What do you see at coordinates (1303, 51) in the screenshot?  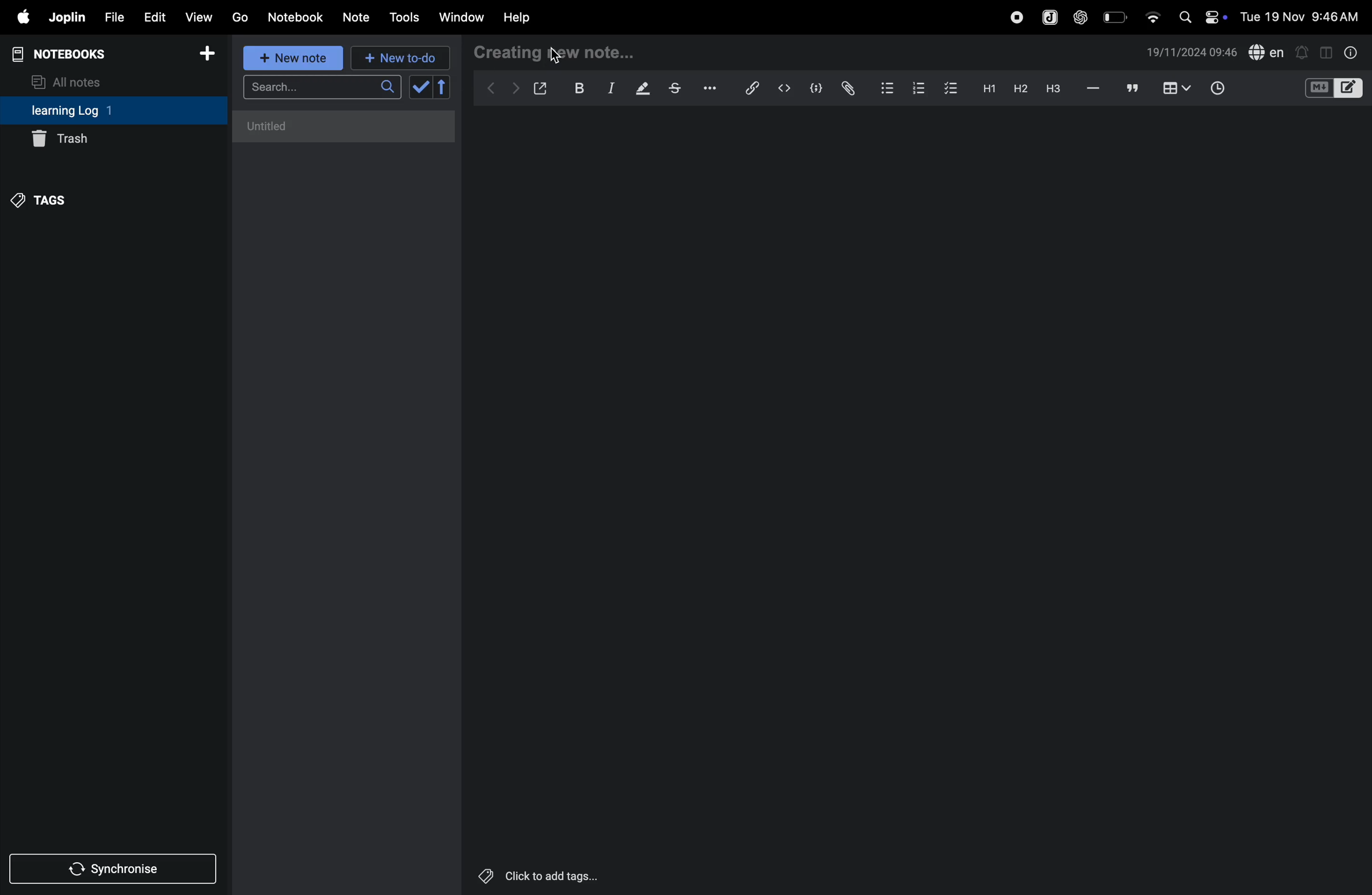 I see `alert` at bounding box center [1303, 51].